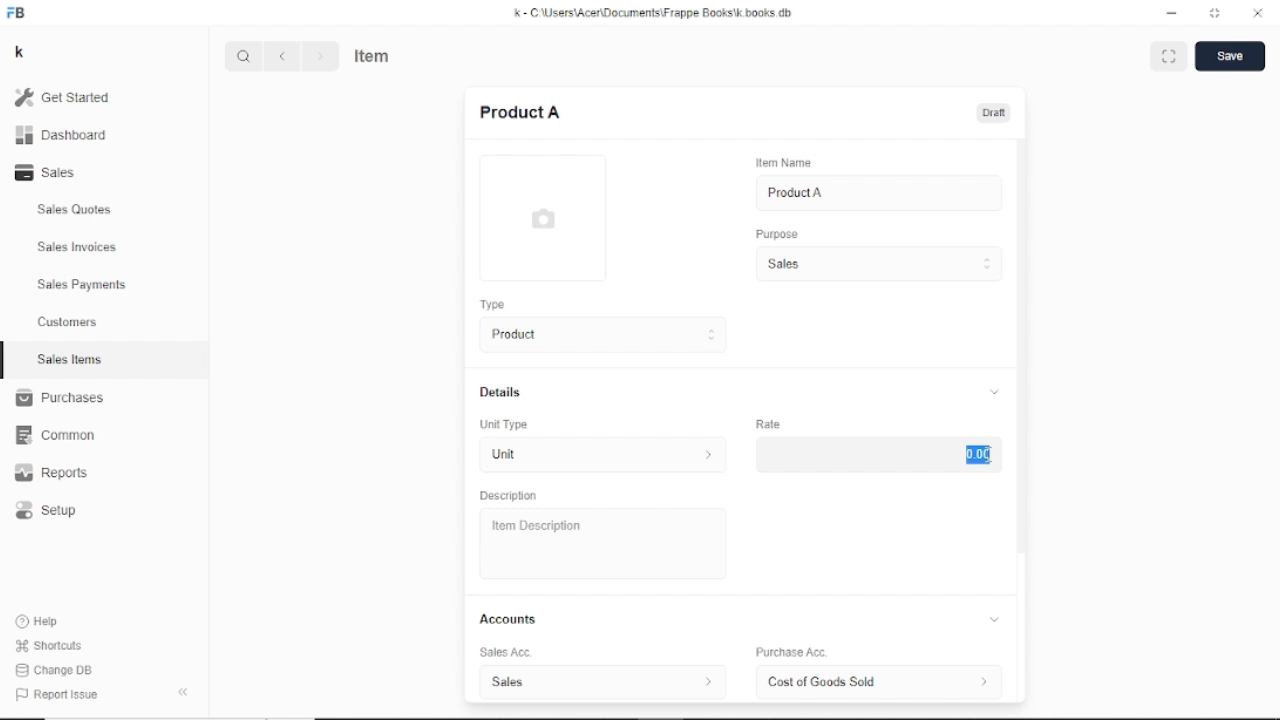 This screenshot has width=1280, height=720. Describe the element at coordinates (244, 56) in the screenshot. I see `Search` at that location.